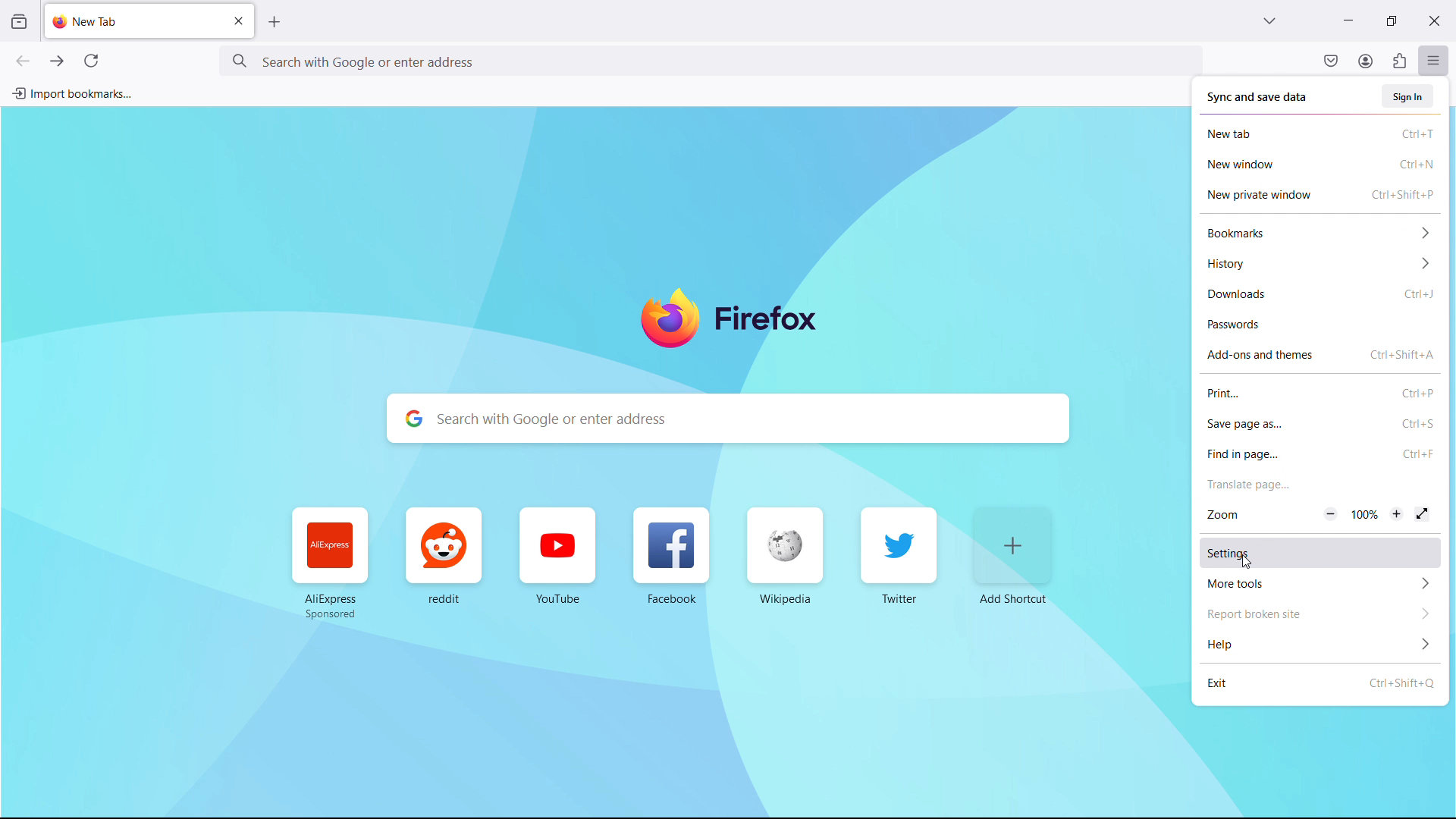 This screenshot has width=1456, height=819. Describe the element at coordinates (1319, 682) in the screenshot. I see `exit` at that location.